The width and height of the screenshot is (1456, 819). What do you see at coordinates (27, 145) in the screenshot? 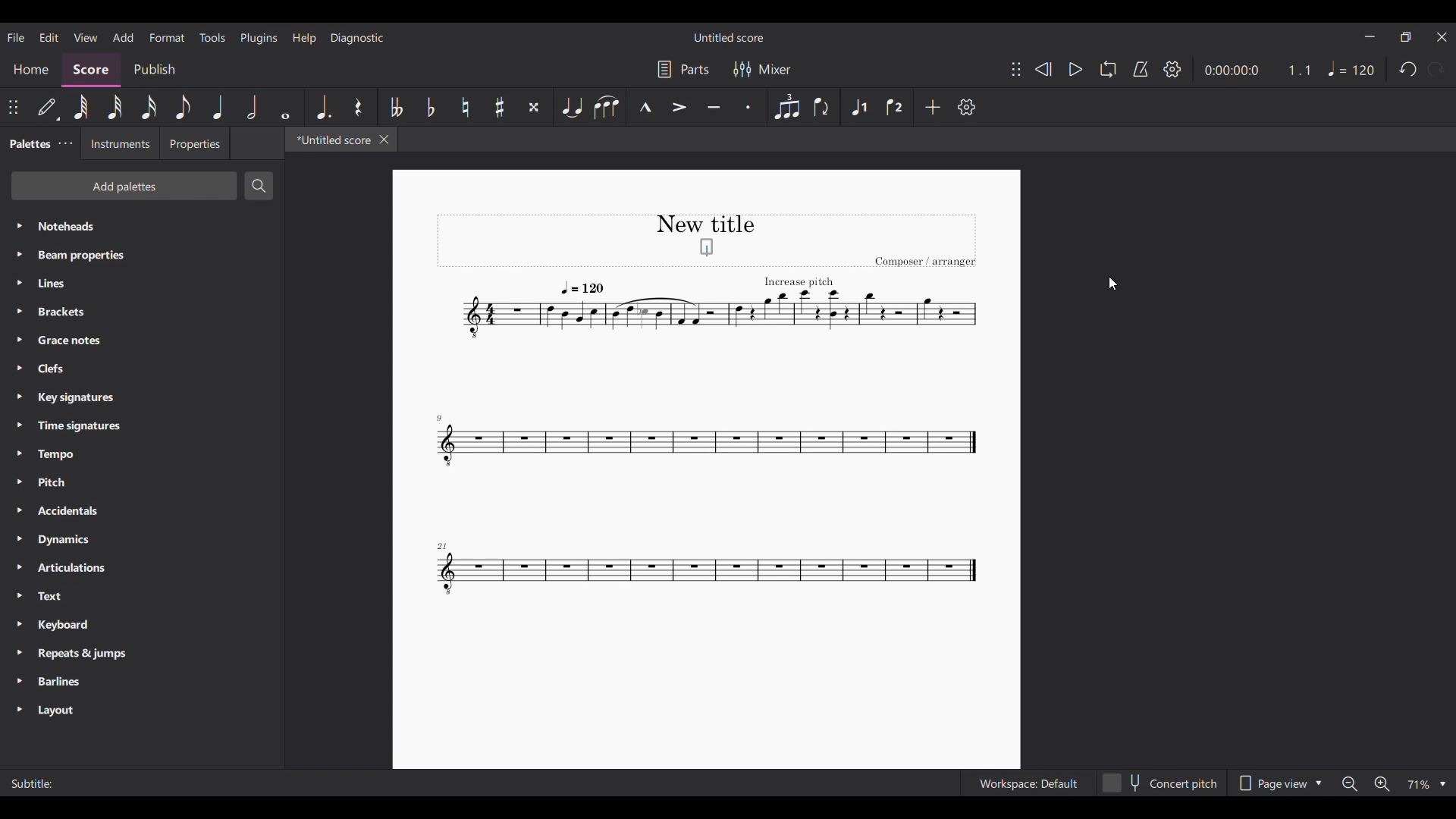
I see `Palettes` at bounding box center [27, 145].